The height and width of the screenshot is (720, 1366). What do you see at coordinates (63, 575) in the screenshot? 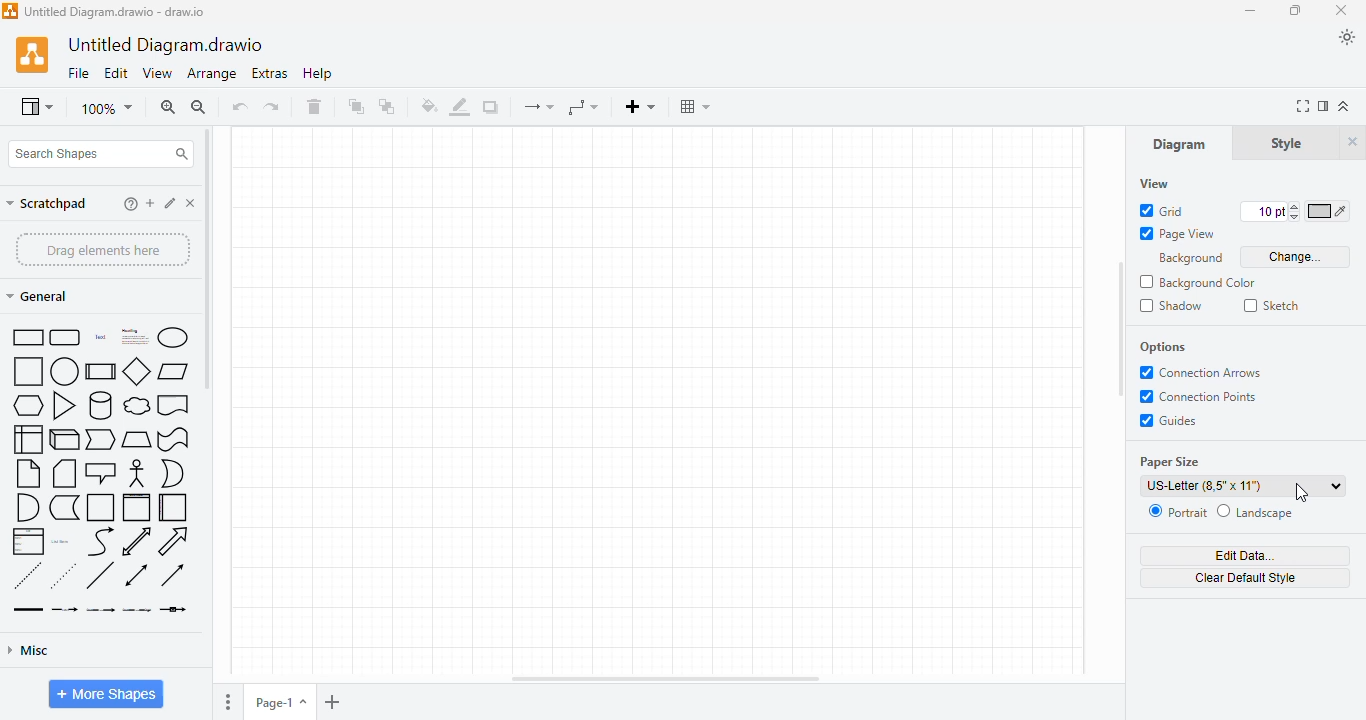
I see `dotted line` at bounding box center [63, 575].